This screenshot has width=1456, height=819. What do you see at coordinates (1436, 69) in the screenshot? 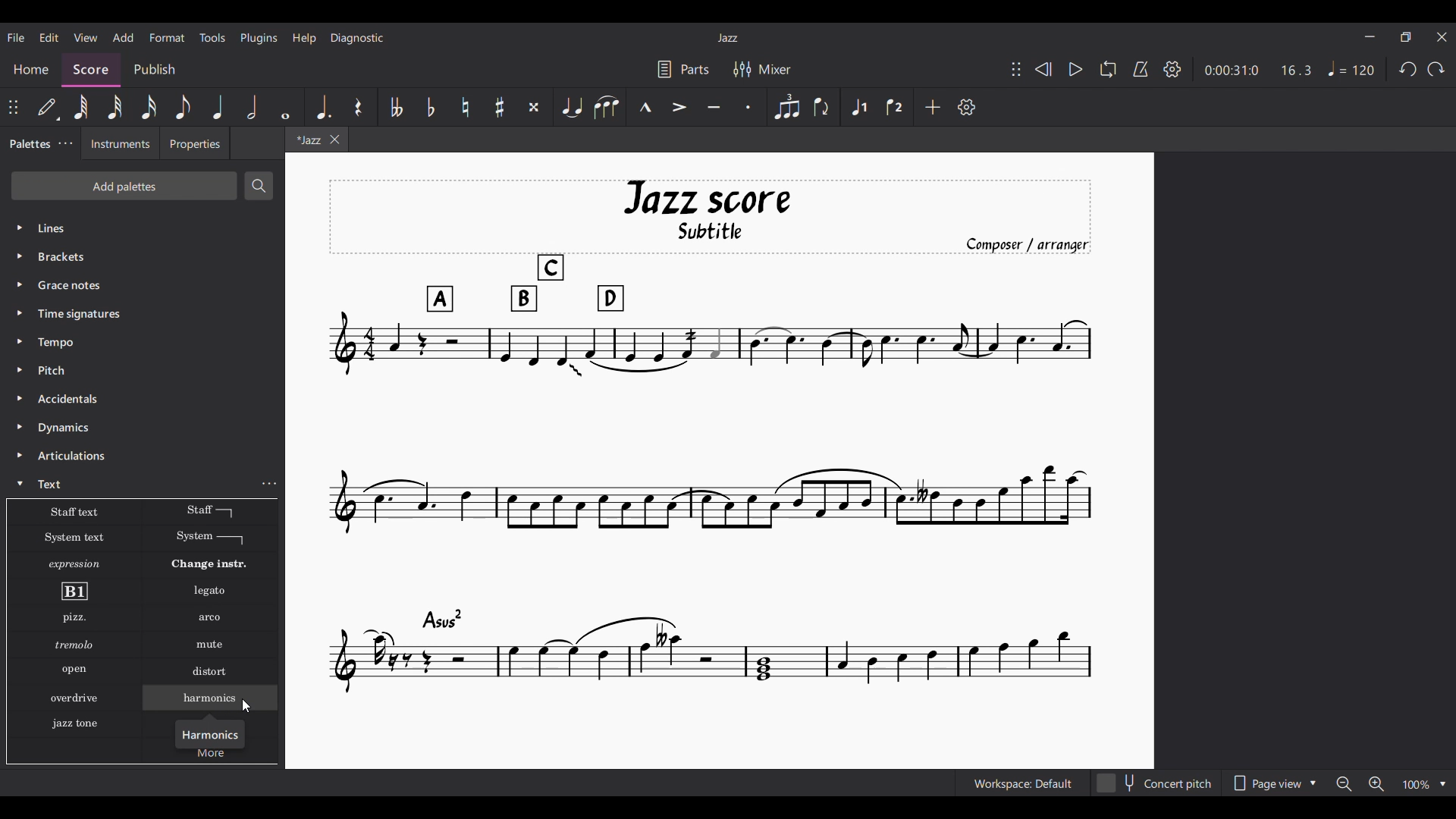
I see `Redo` at bounding box center [1436, 69].